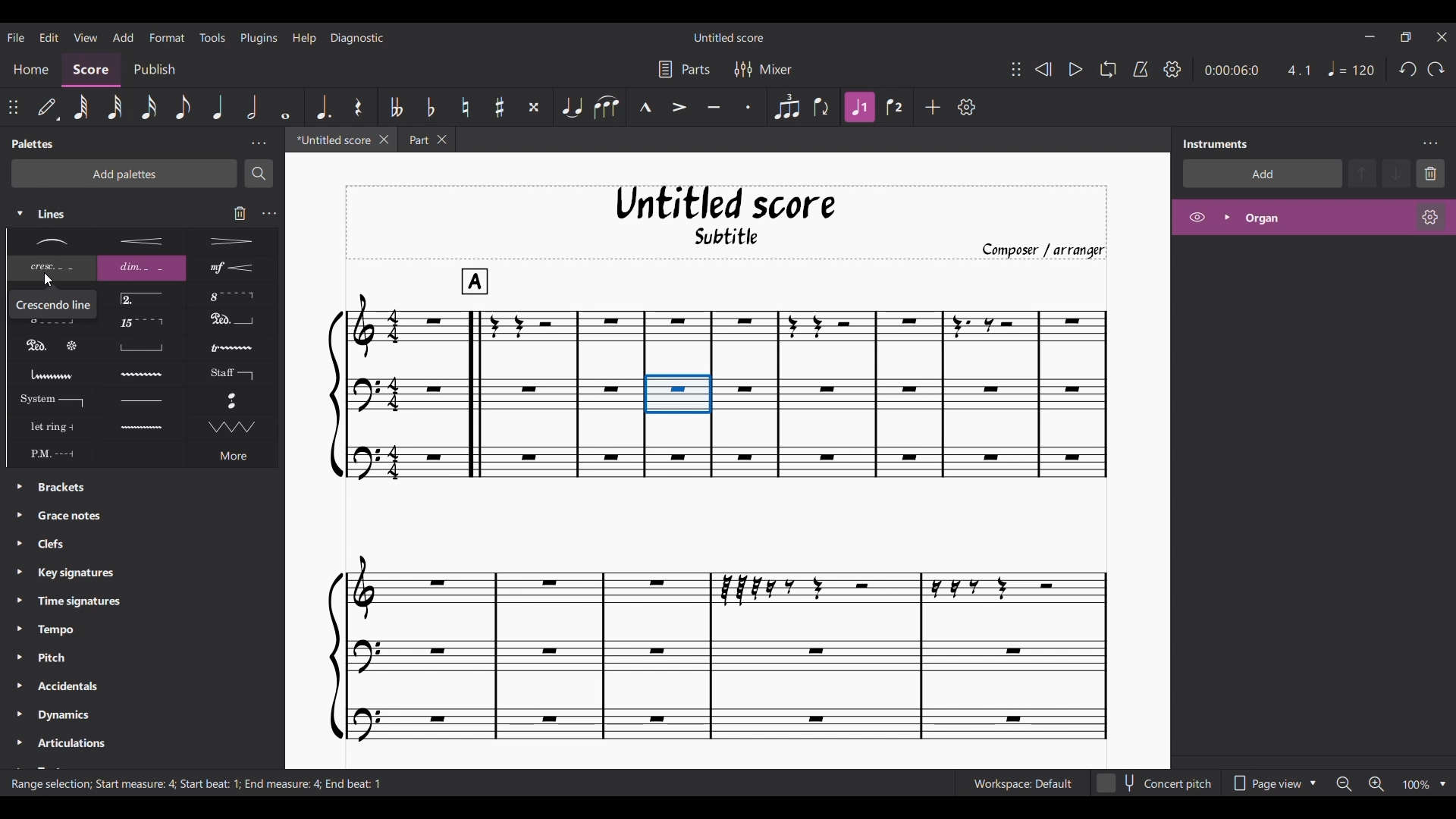  What do you see at coordinates (259, 174) in the screenshot?
I see `Search` at bounding box center [259, 174].